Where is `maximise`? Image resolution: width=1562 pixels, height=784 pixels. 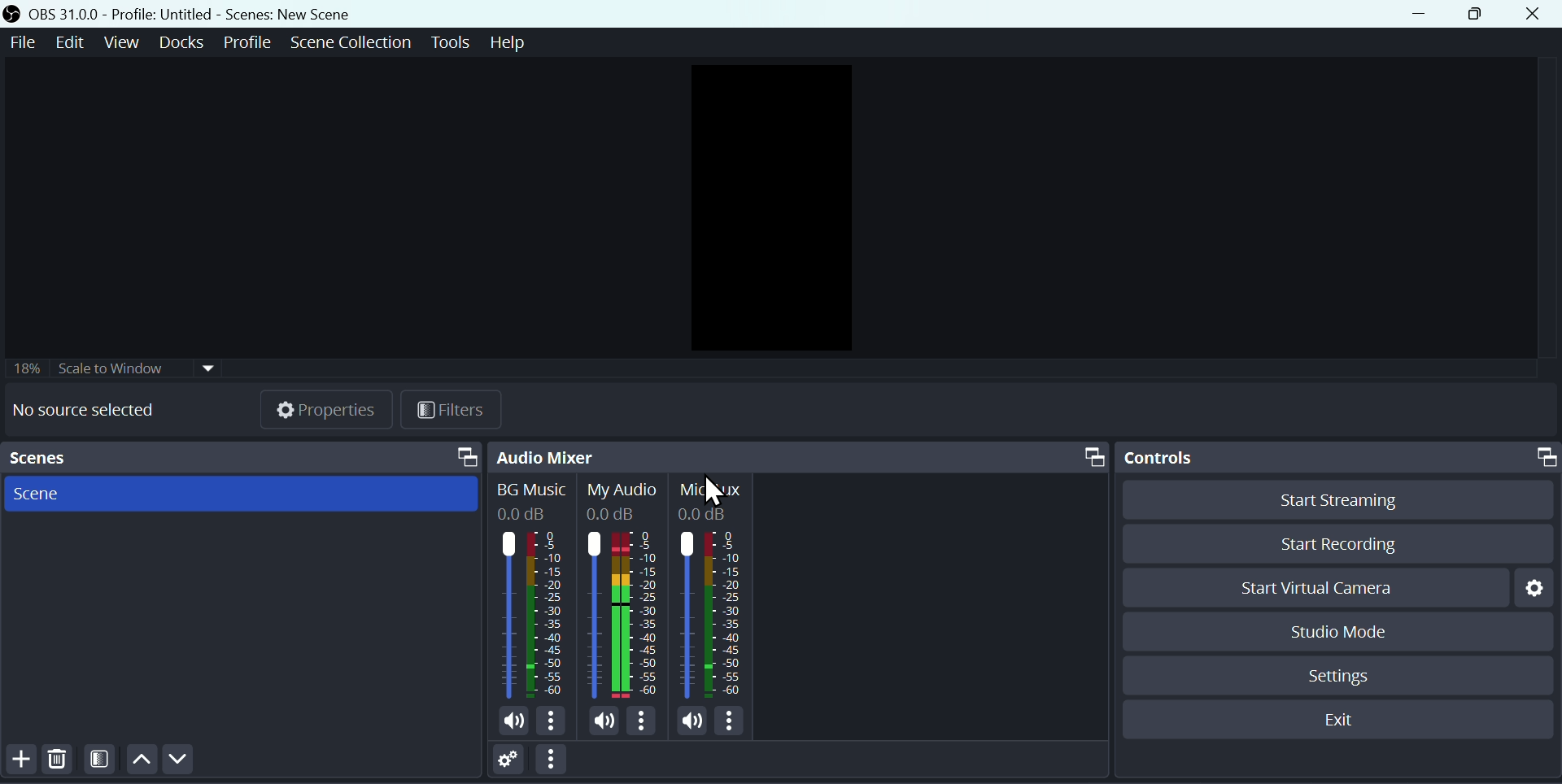 maximise is located at coordinates (1477, 15).